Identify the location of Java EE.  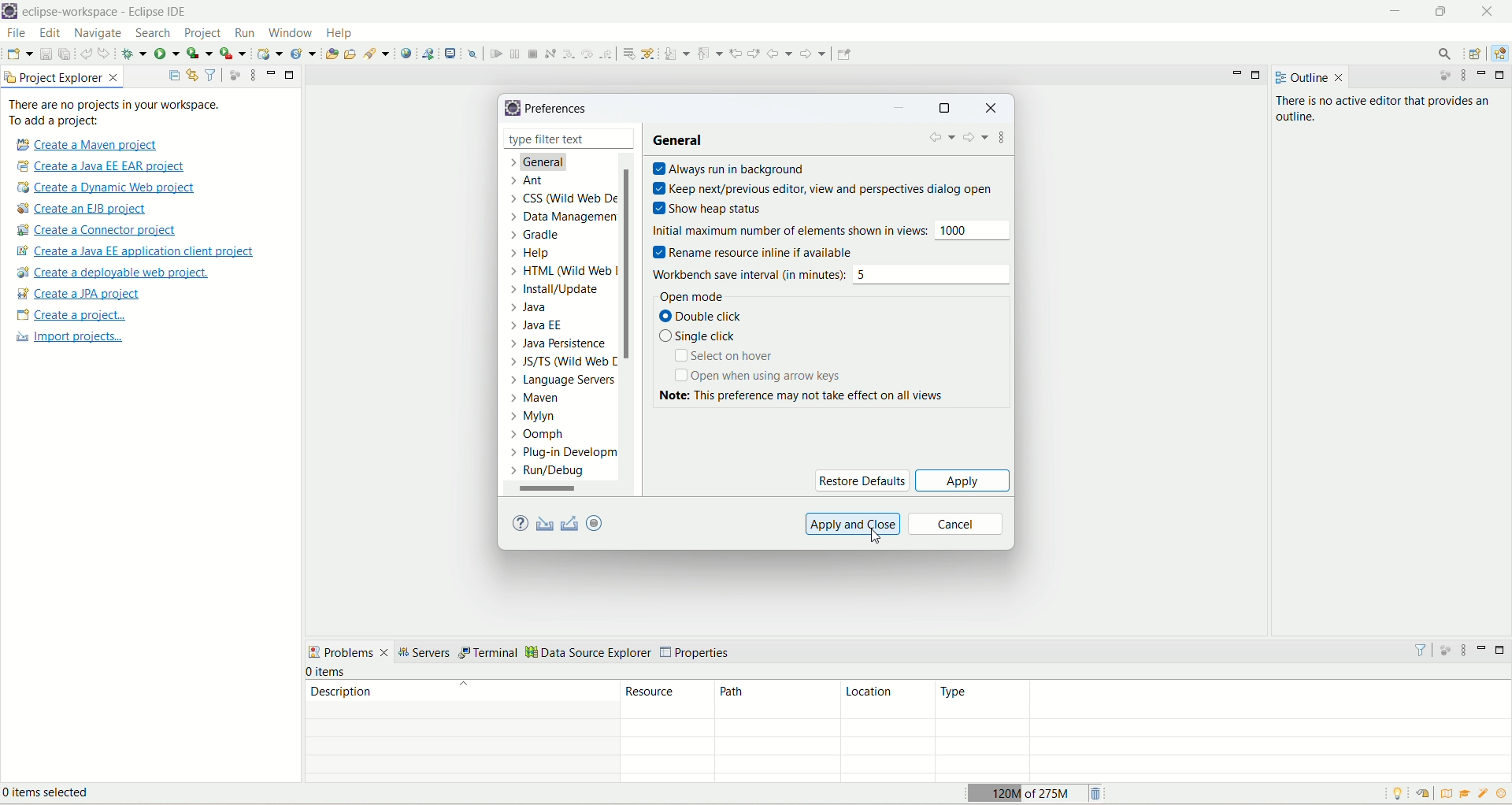
(537, 325).